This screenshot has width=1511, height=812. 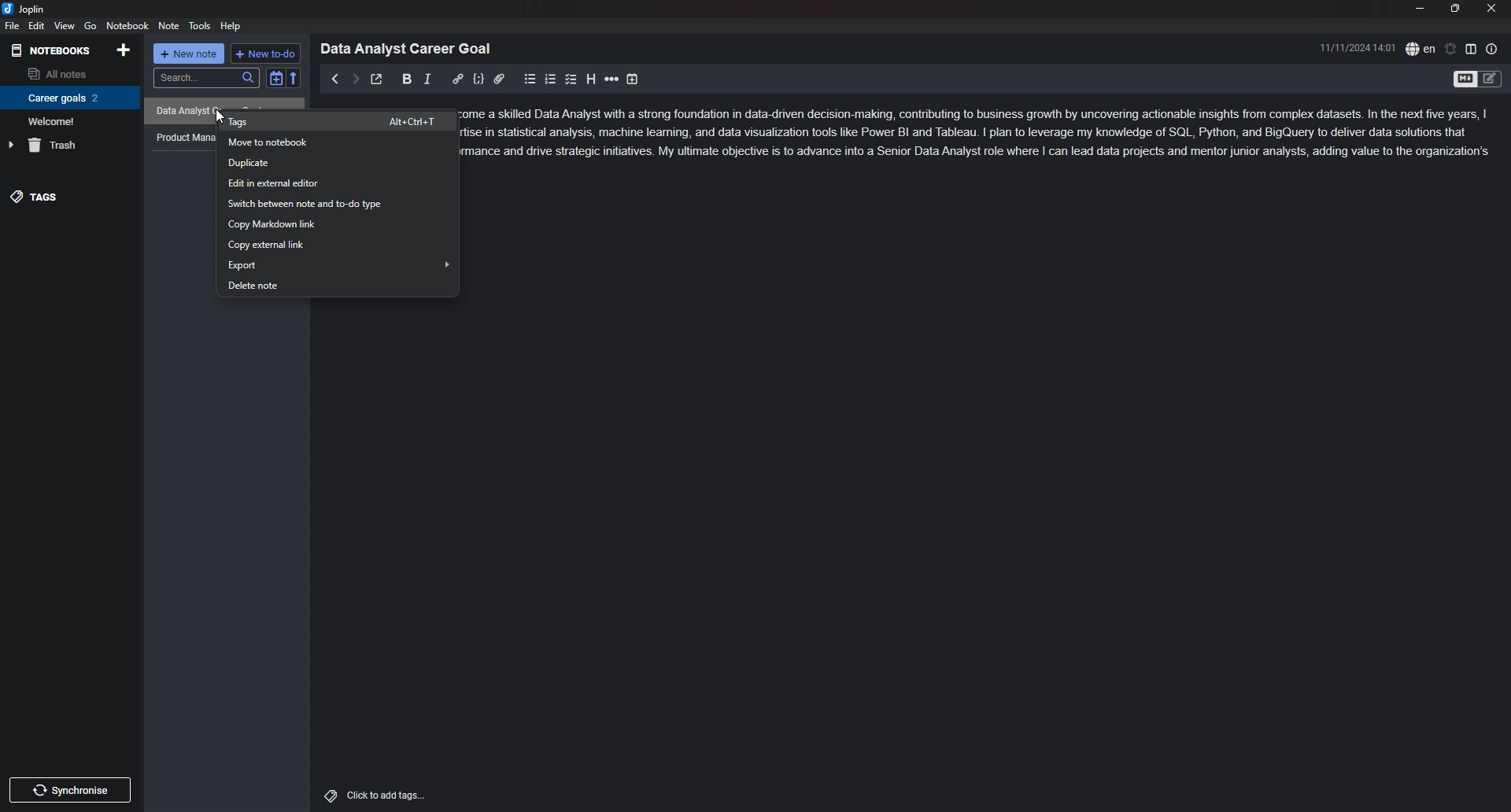 What do you see at coordinates (1471, 48) in the screenshot?
I see `toggle editor layout` at bounding box center [1471, 48].